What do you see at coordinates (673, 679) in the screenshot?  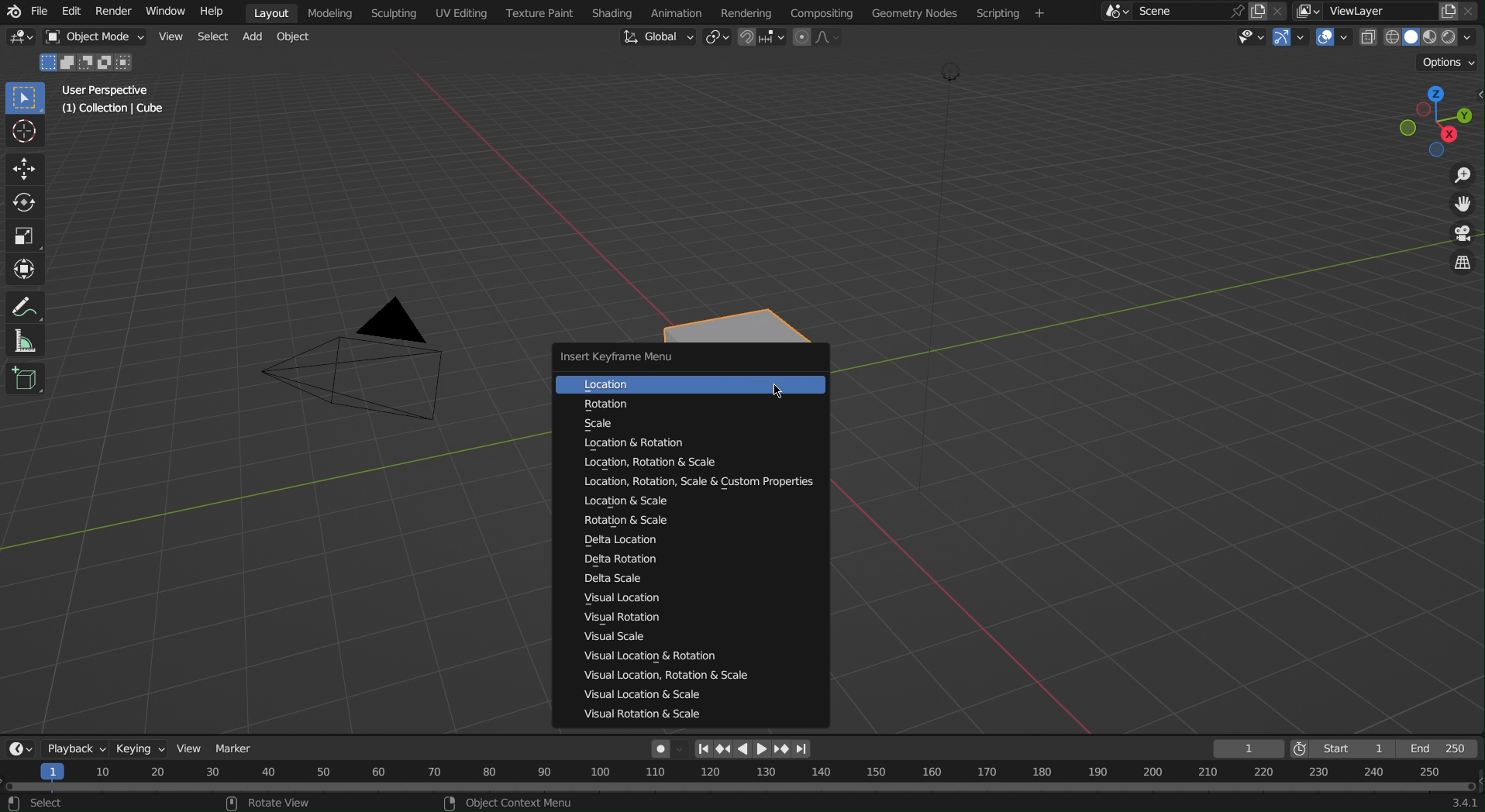 I see `Visual Location, Rotation & Scale` at bounding box center [673, 679].